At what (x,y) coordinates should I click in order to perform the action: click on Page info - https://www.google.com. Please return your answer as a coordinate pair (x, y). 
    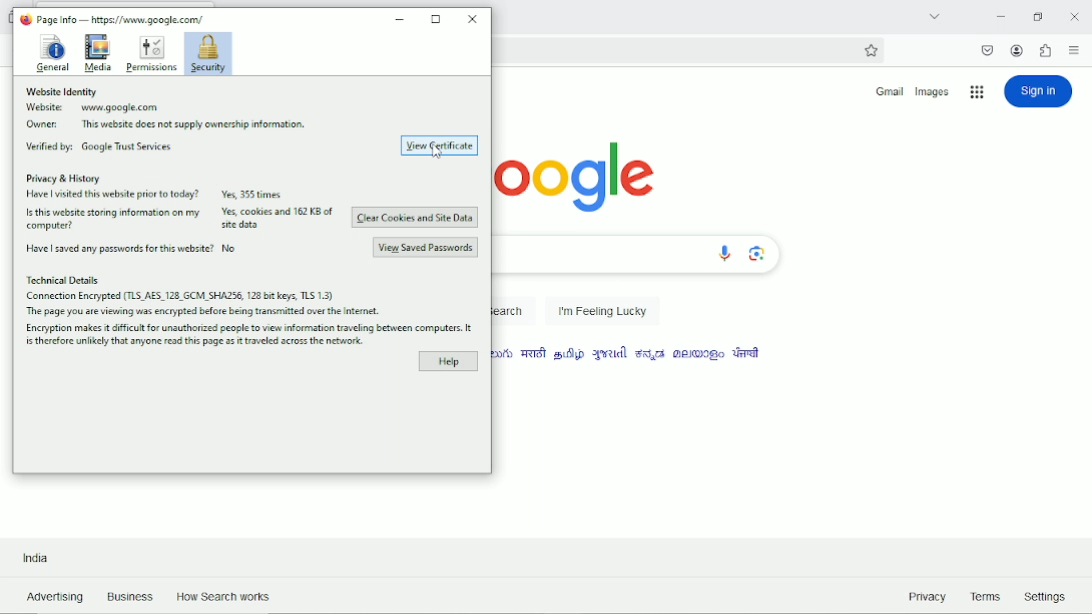
    Looking at the image, I should click on (112, 18).